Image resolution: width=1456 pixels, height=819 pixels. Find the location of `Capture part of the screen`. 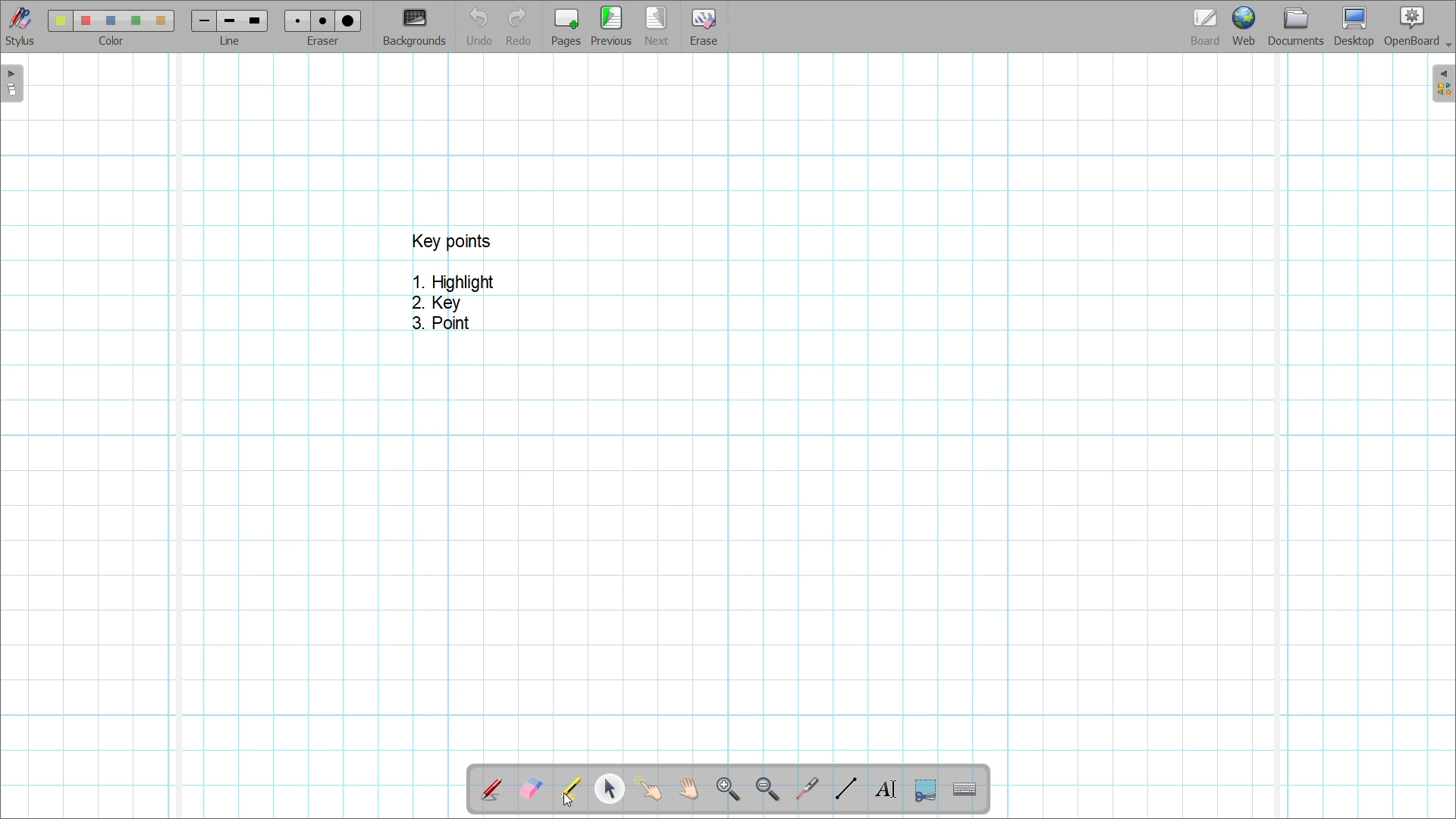

Capture part of the screen is located at coordinates (926, 791).